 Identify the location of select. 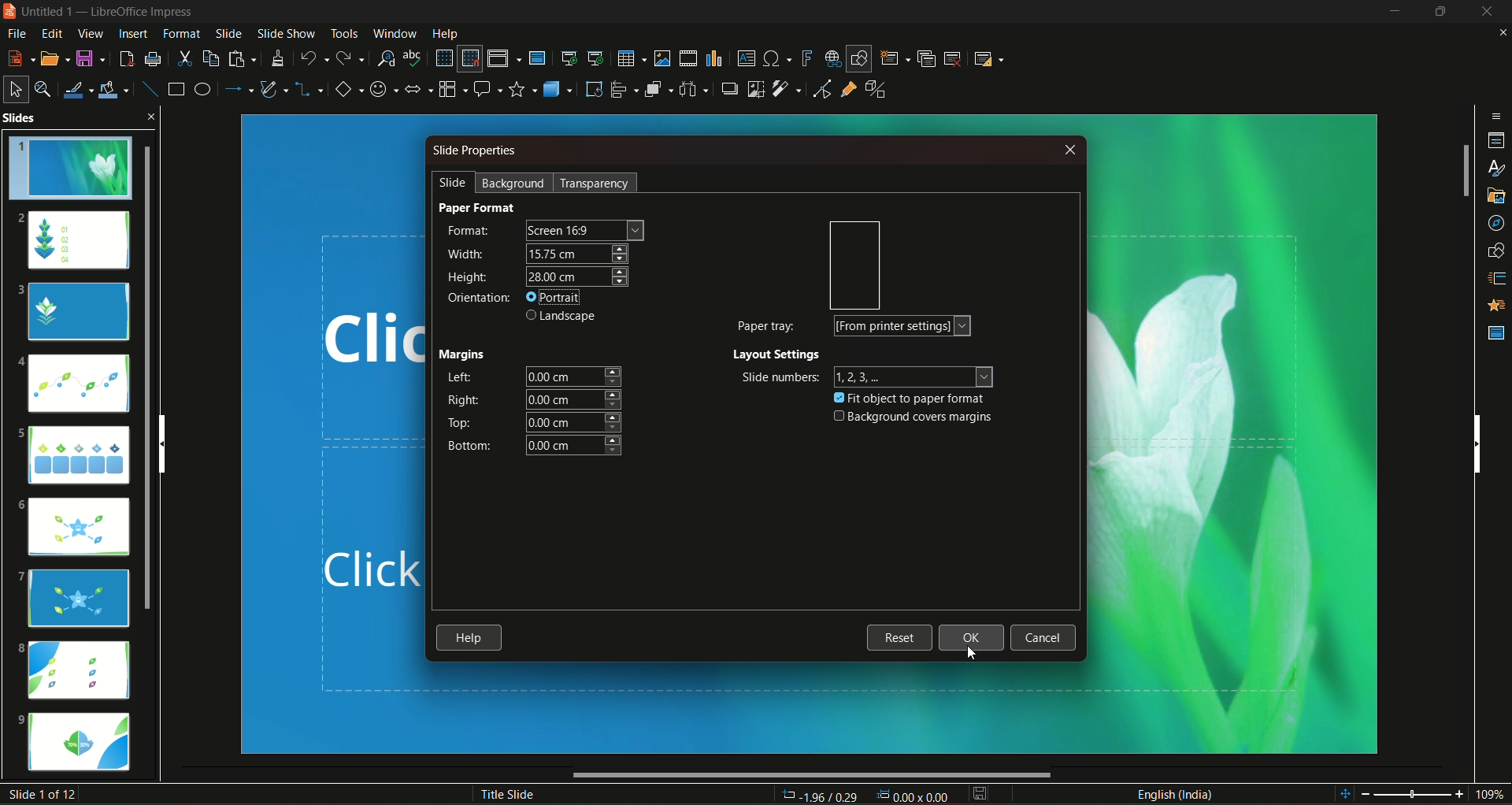
(16, 87).